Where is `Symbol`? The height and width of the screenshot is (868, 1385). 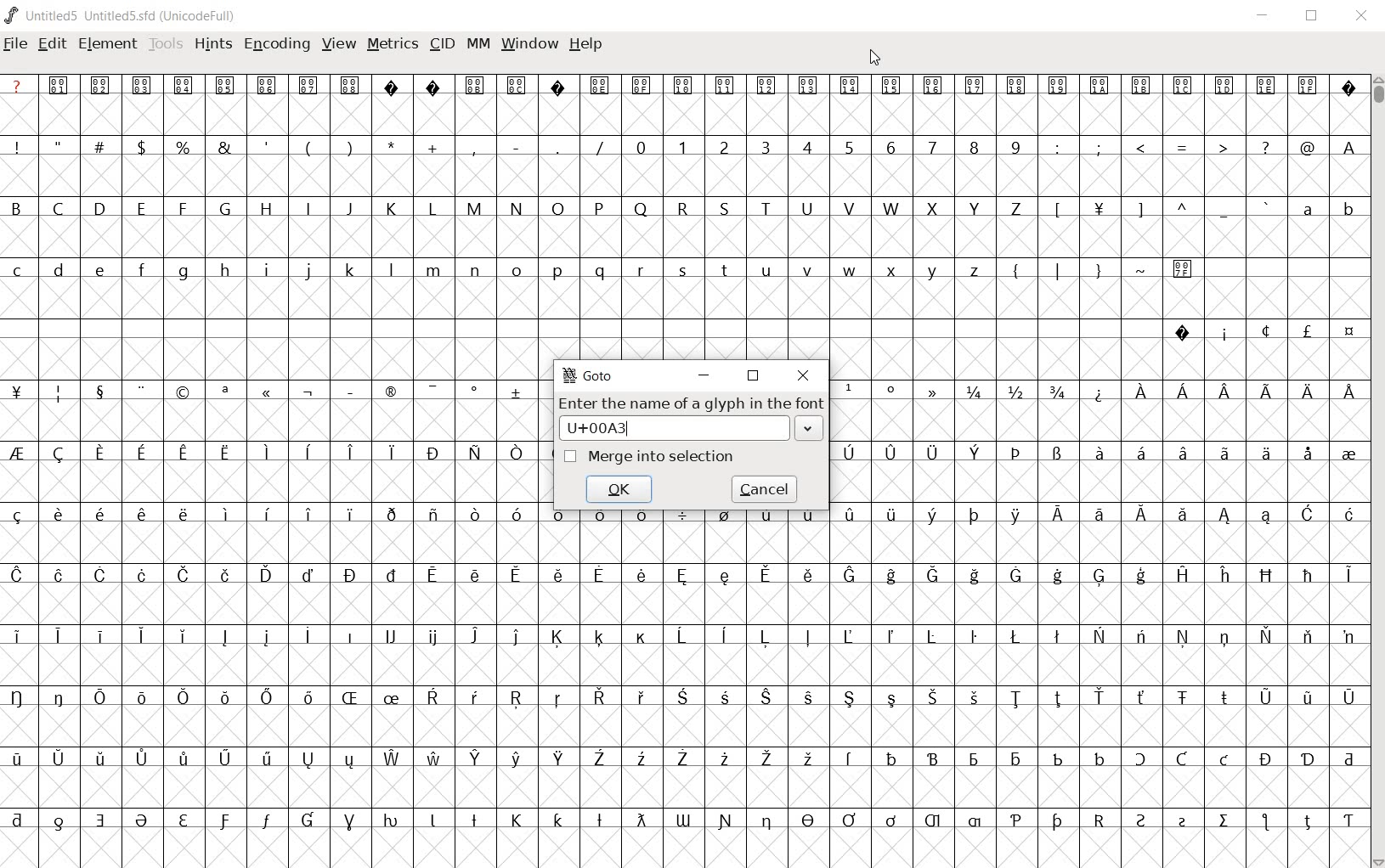
Symbol is located at coordinates (852, 86).